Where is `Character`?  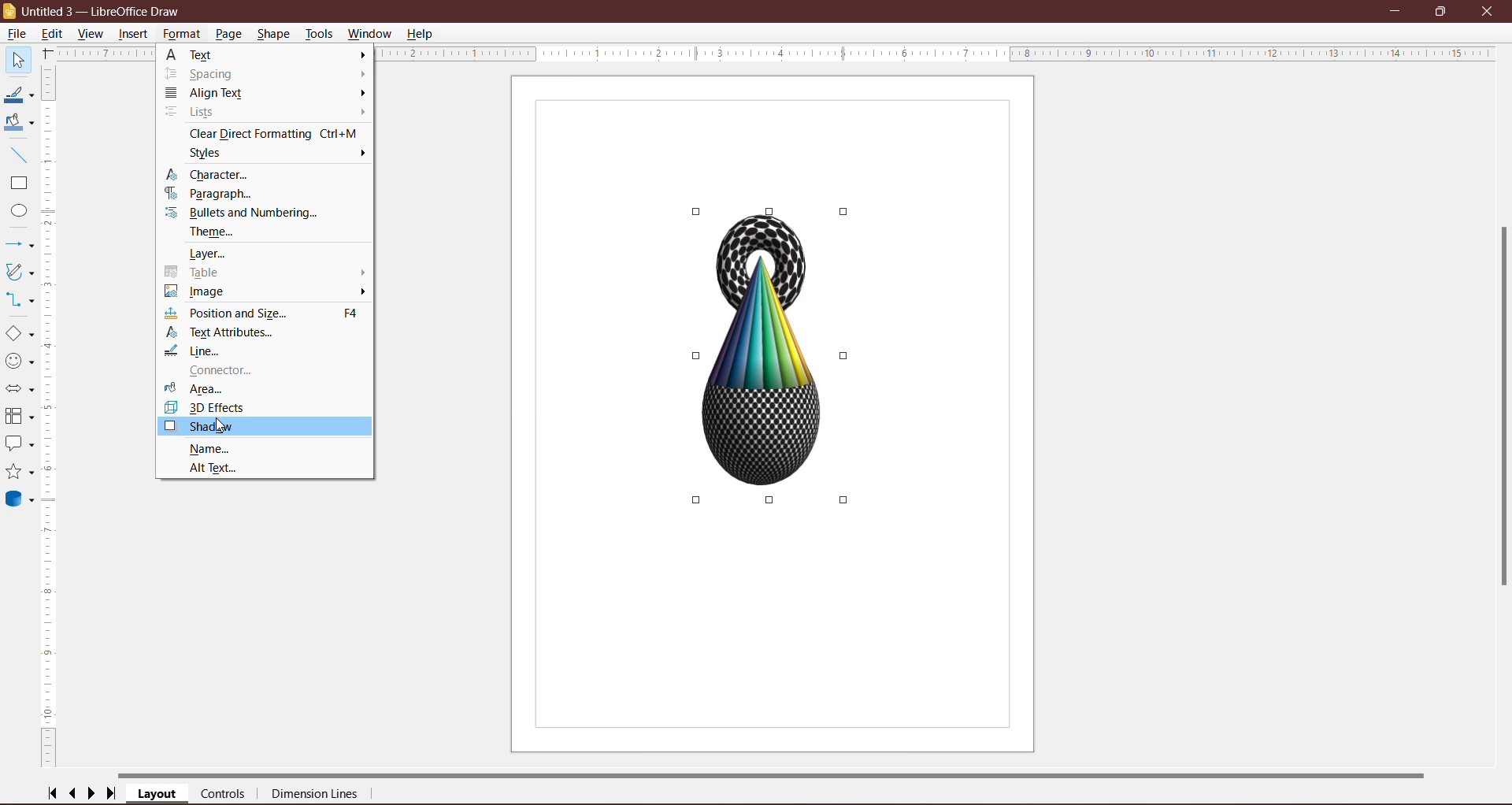
Character is located at coordinates (216, 175).